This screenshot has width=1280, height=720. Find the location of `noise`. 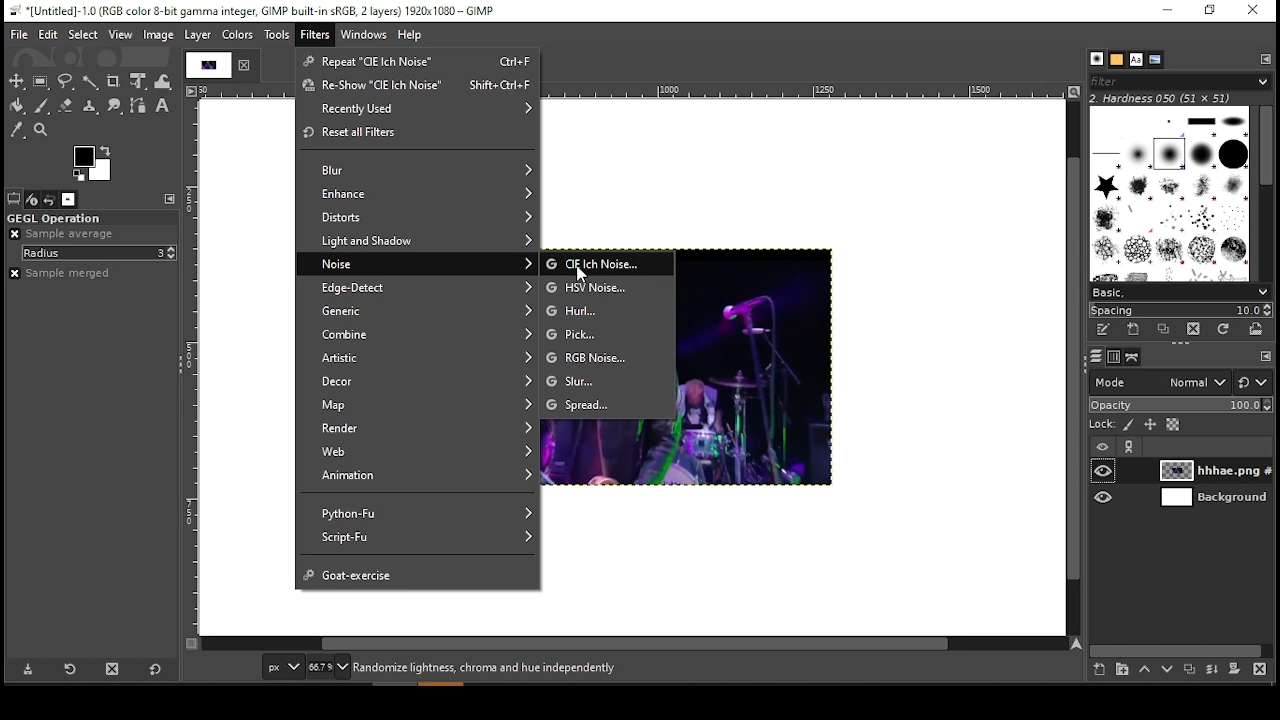

noise is located at coordinates (423, 263).